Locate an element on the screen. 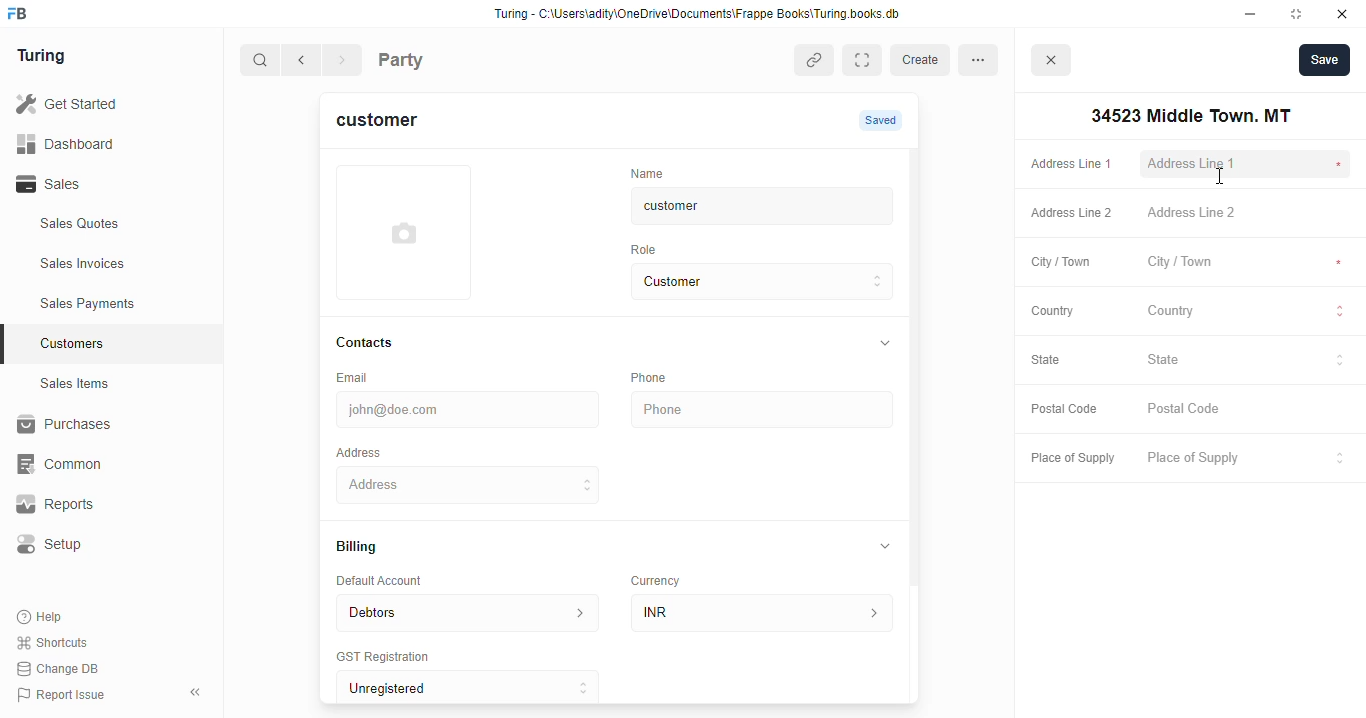 Image resolution: width=1366 pixels, height=718 pixels. Dashboard is located at coordinates (95, 143).